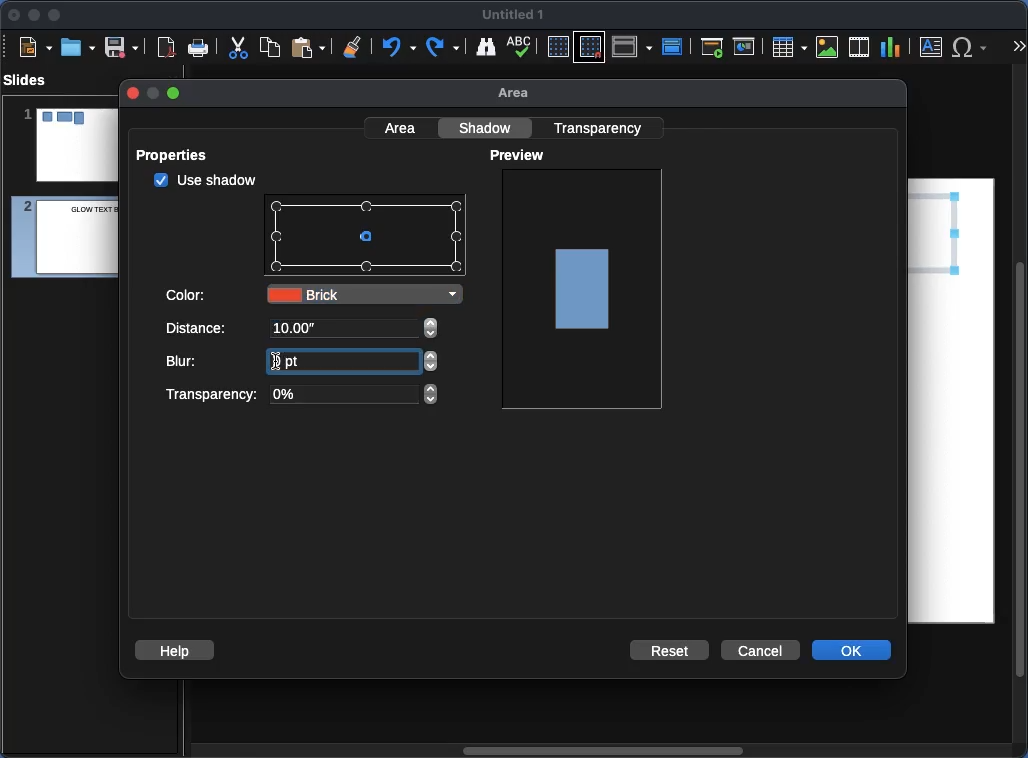 The width and height of the screenshot is (1028, 758). I want to click on Image, so click(584, 287).